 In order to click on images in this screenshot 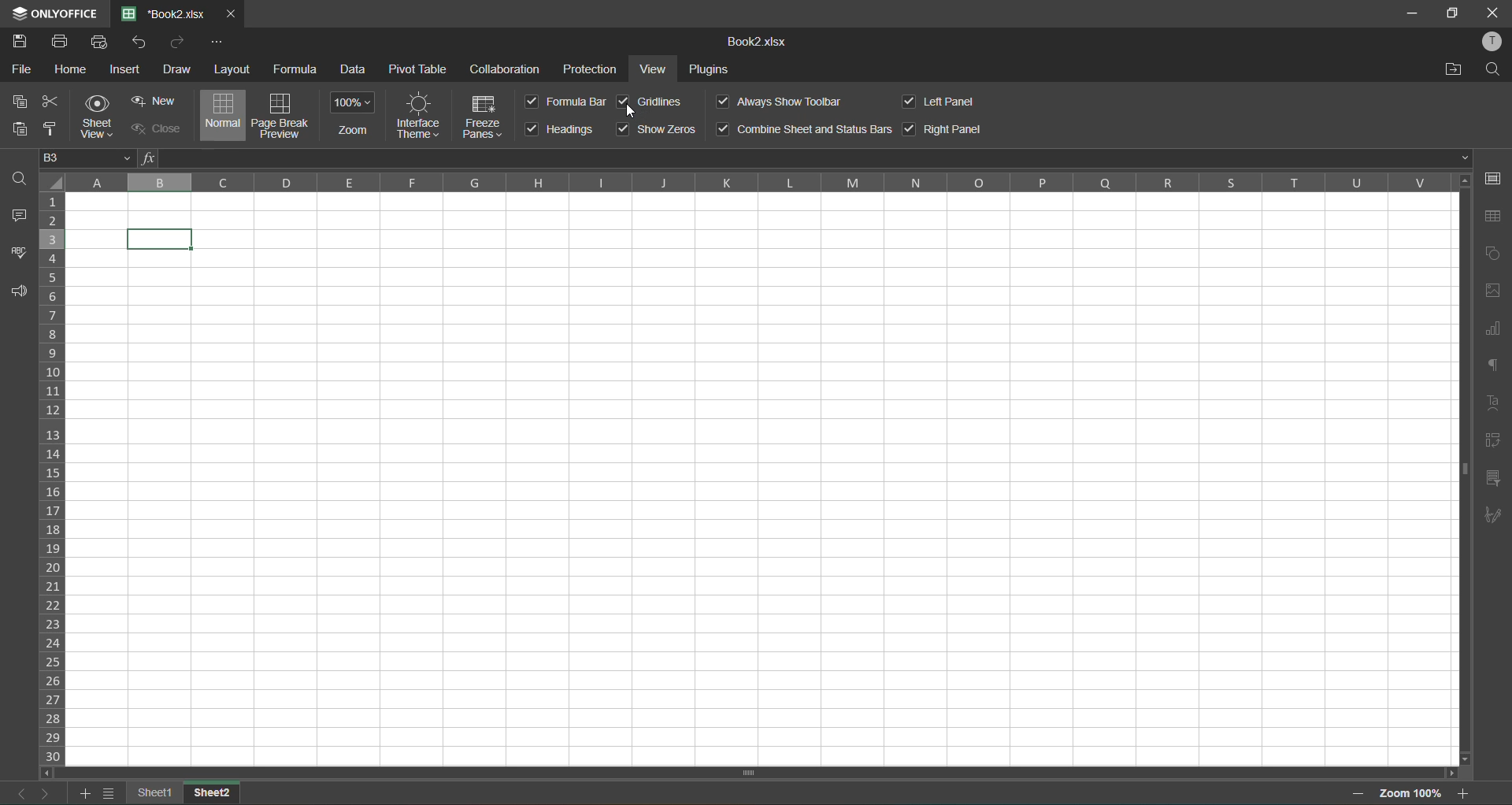, I will do `click(1492, 293)`.